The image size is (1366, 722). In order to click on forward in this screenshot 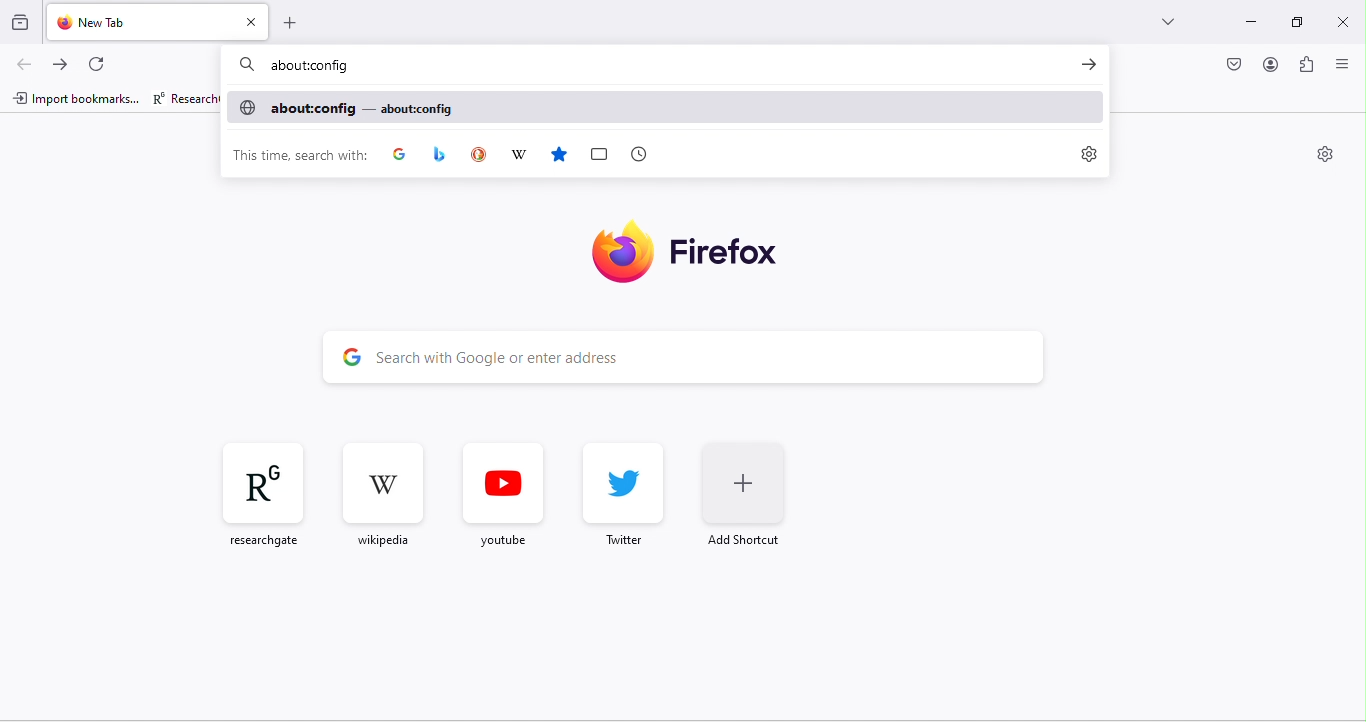, I will do `click(59, 64)`.